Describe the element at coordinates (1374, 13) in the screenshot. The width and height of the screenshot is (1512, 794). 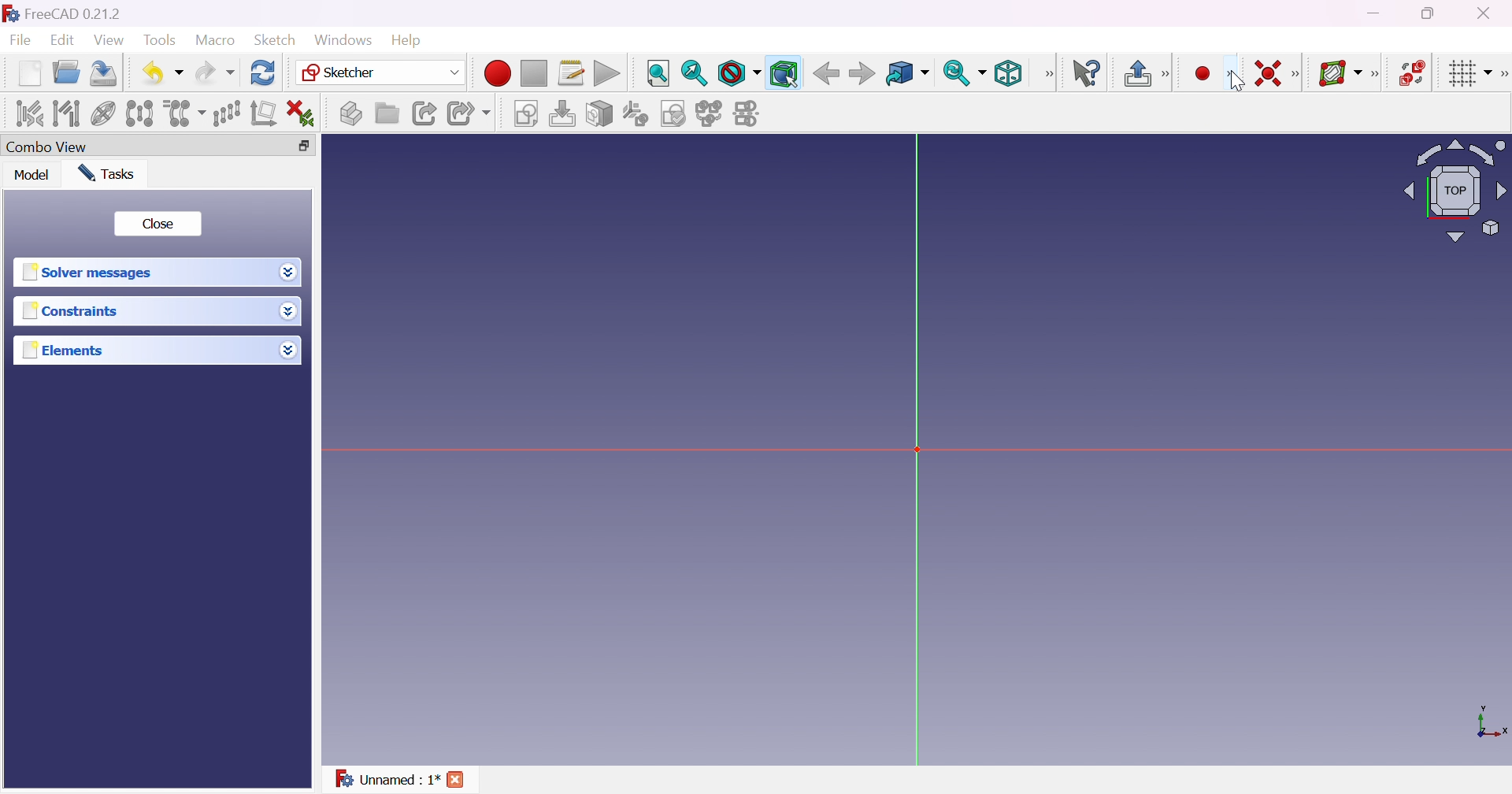
I see `Minimize` at that location.